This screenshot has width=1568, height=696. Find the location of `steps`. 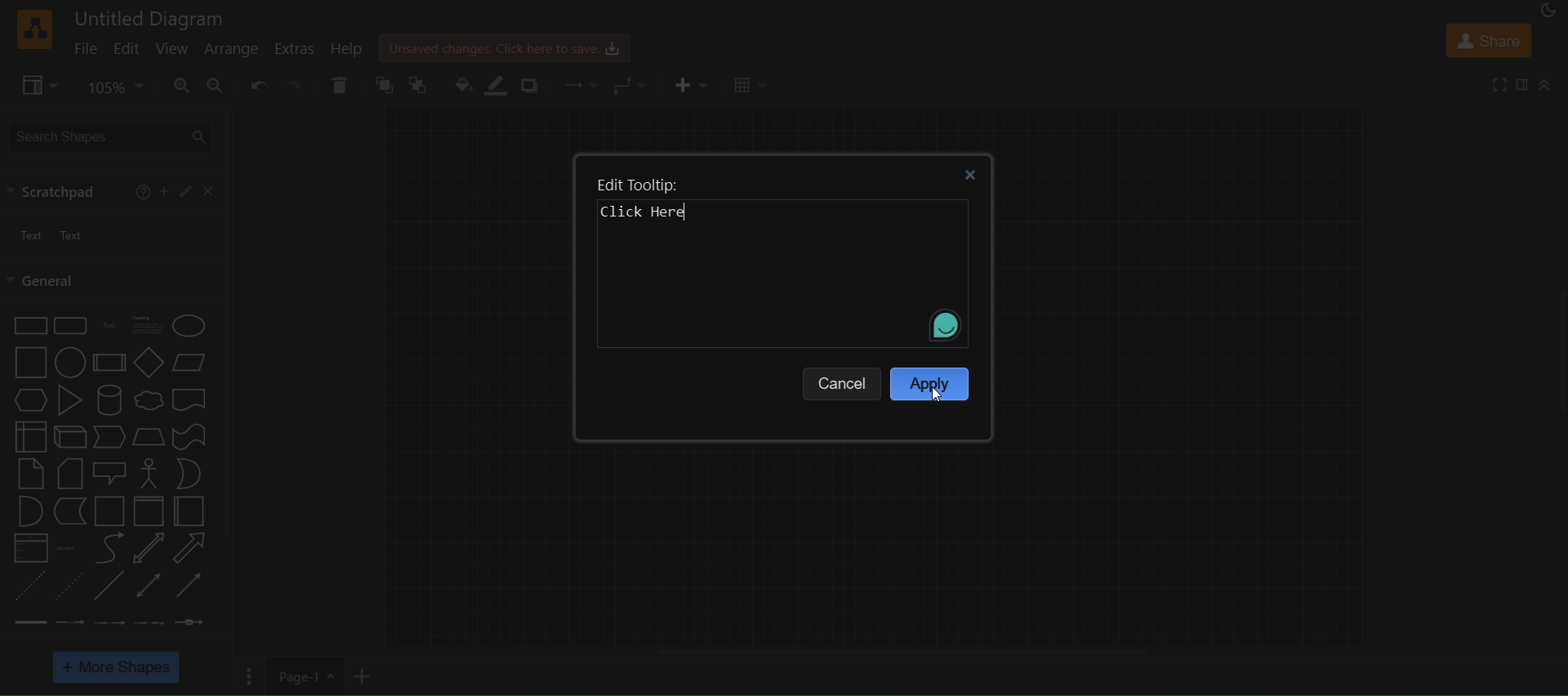

steps is located at coordinates (109, 439).